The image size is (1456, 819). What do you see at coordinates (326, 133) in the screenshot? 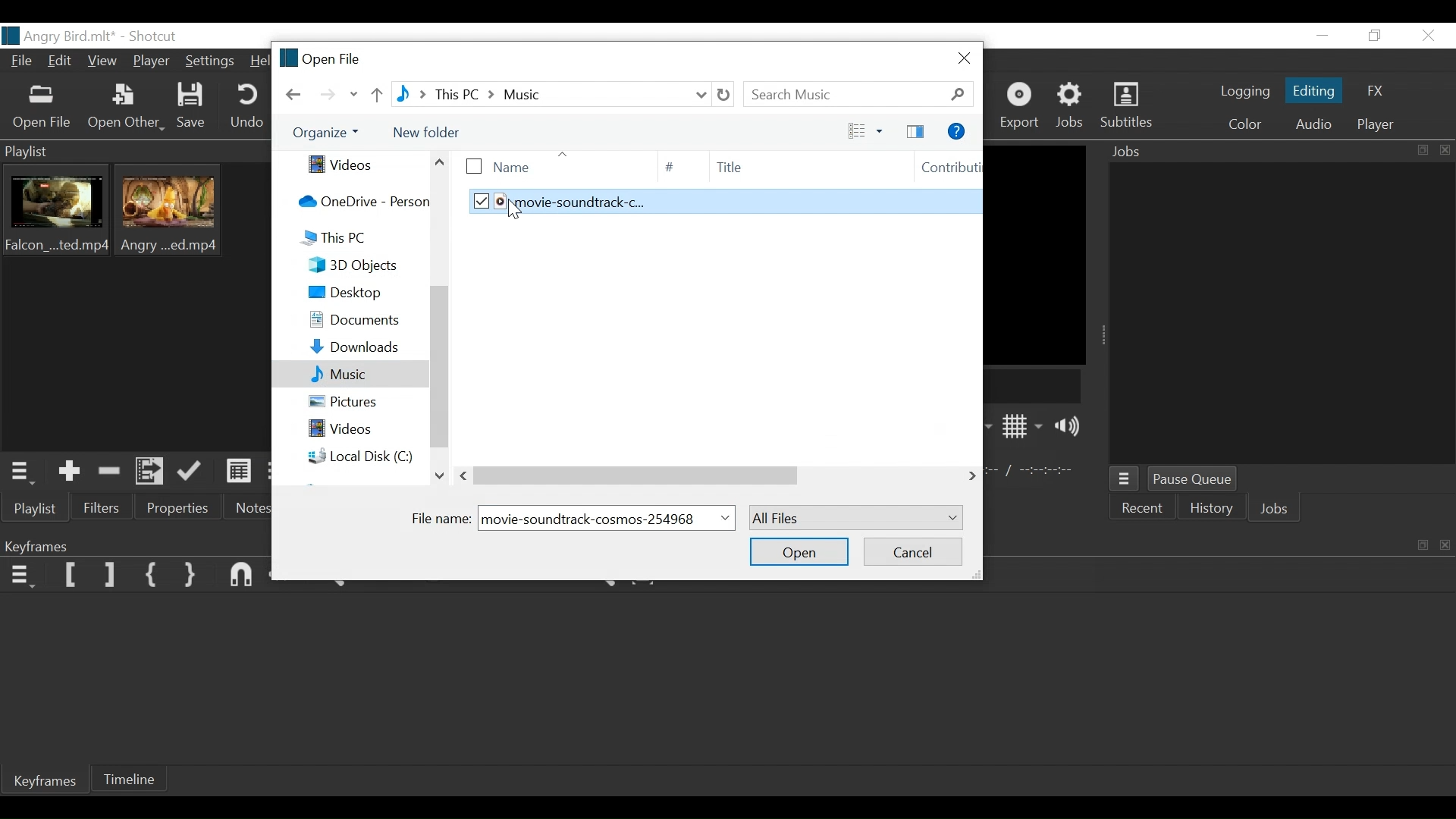
I see `Organize` at bounding box center [326, 133].